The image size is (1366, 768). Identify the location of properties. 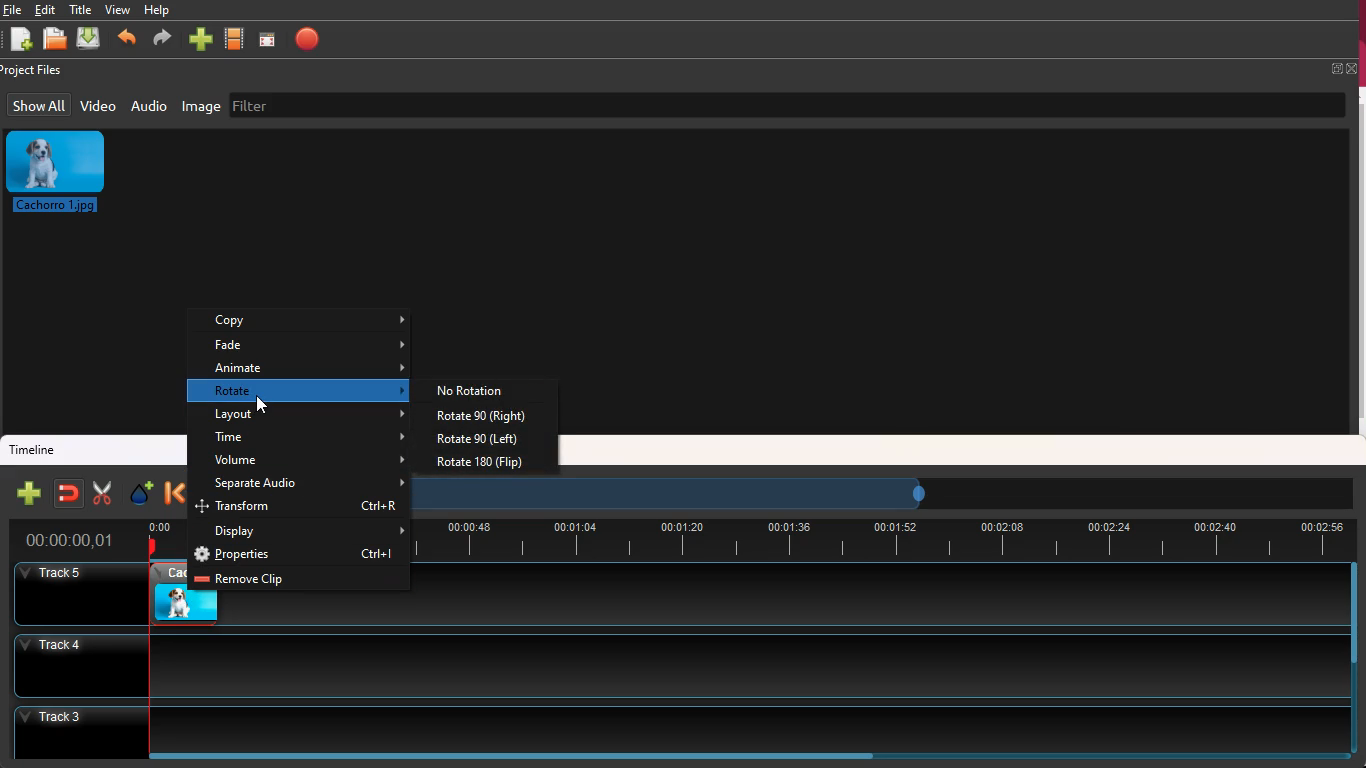
(300, 555).